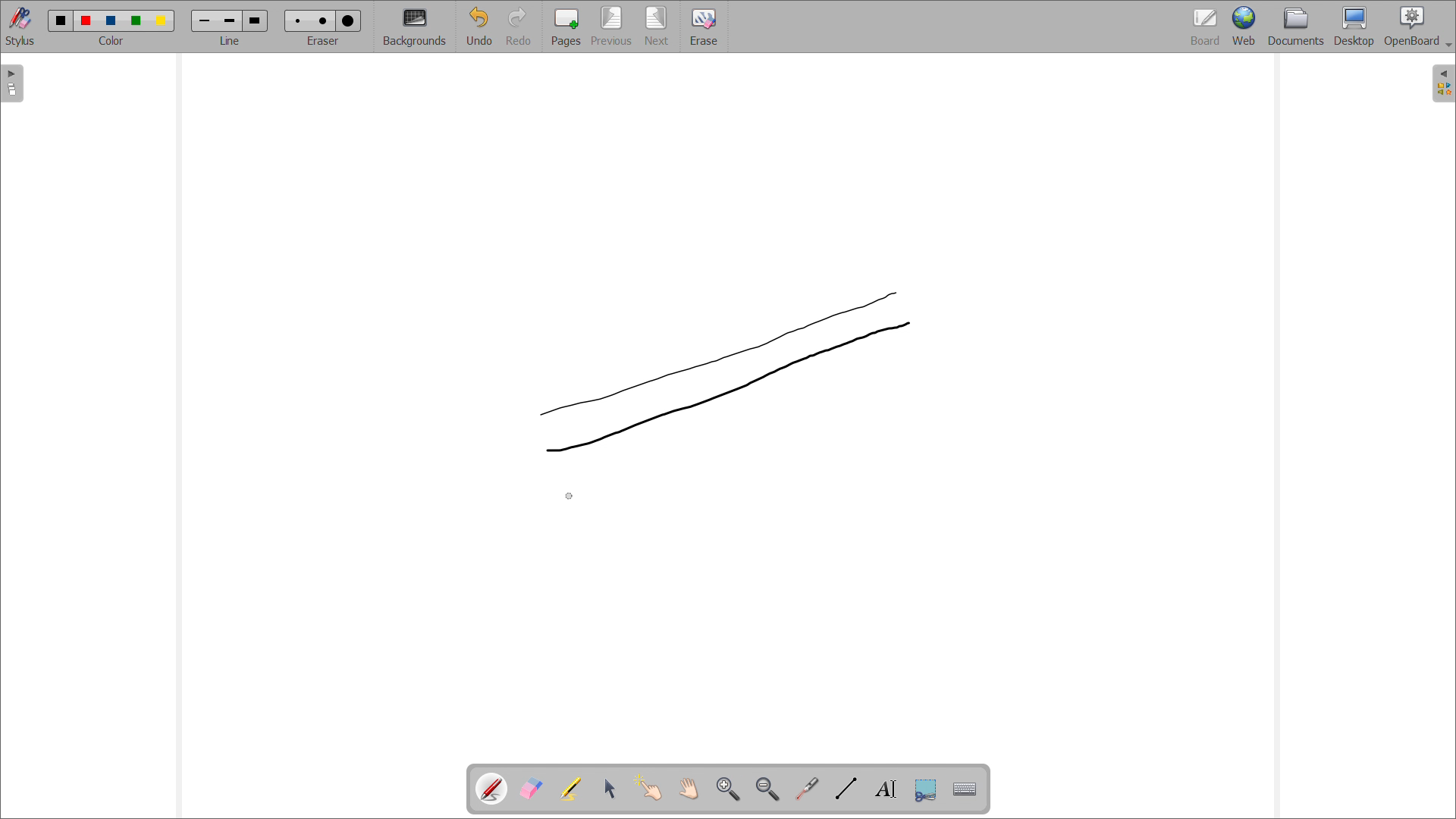  Describe the element at coordinates (704, 27) in the screenshot. I see `erase` at that location.